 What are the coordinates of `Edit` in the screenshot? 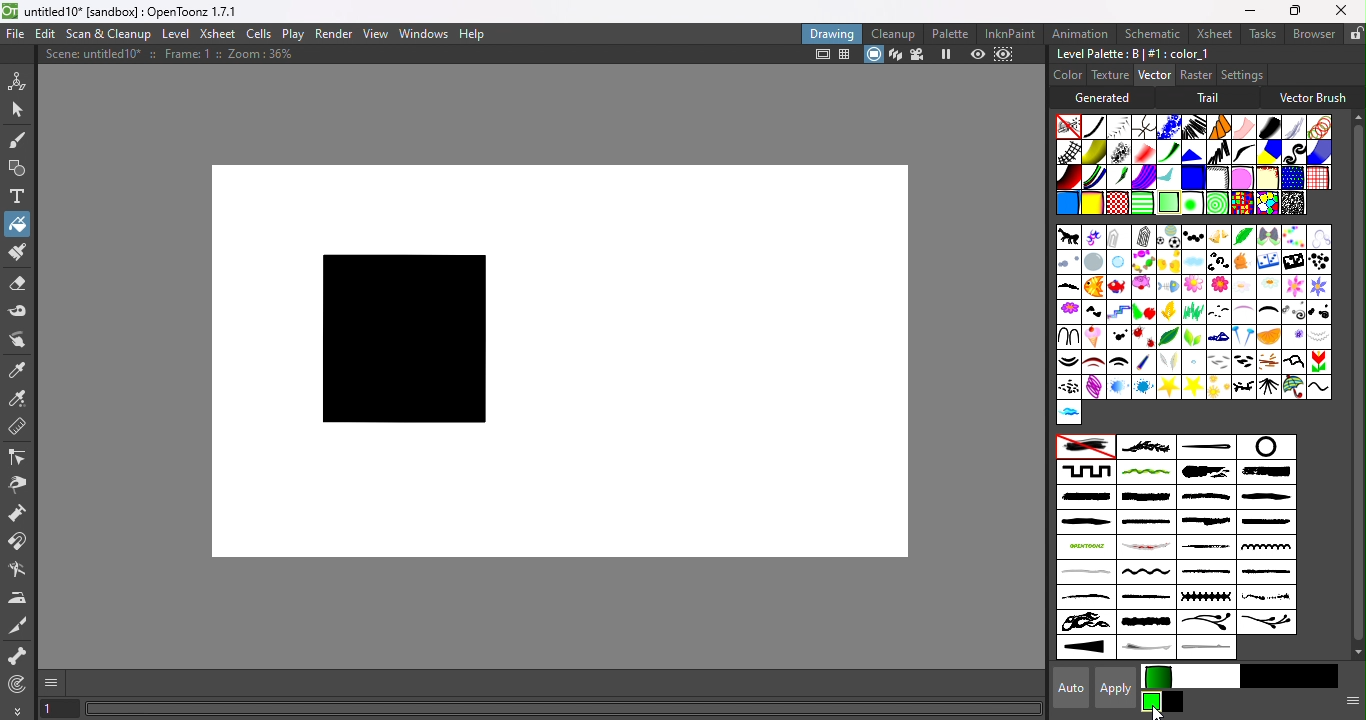 It's located at (43, 35).